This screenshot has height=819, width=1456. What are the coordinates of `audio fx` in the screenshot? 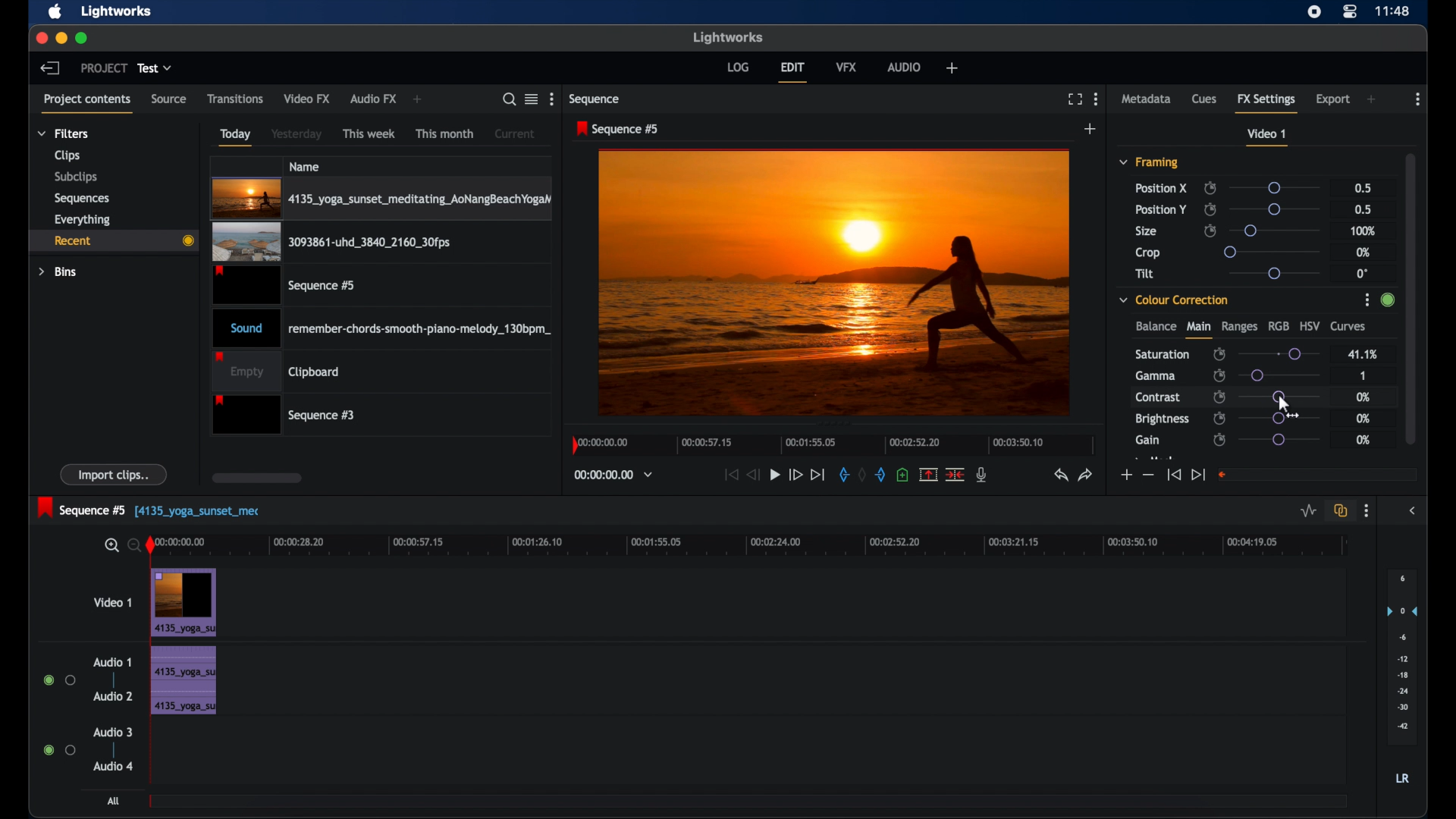 It's located at (373, 99).